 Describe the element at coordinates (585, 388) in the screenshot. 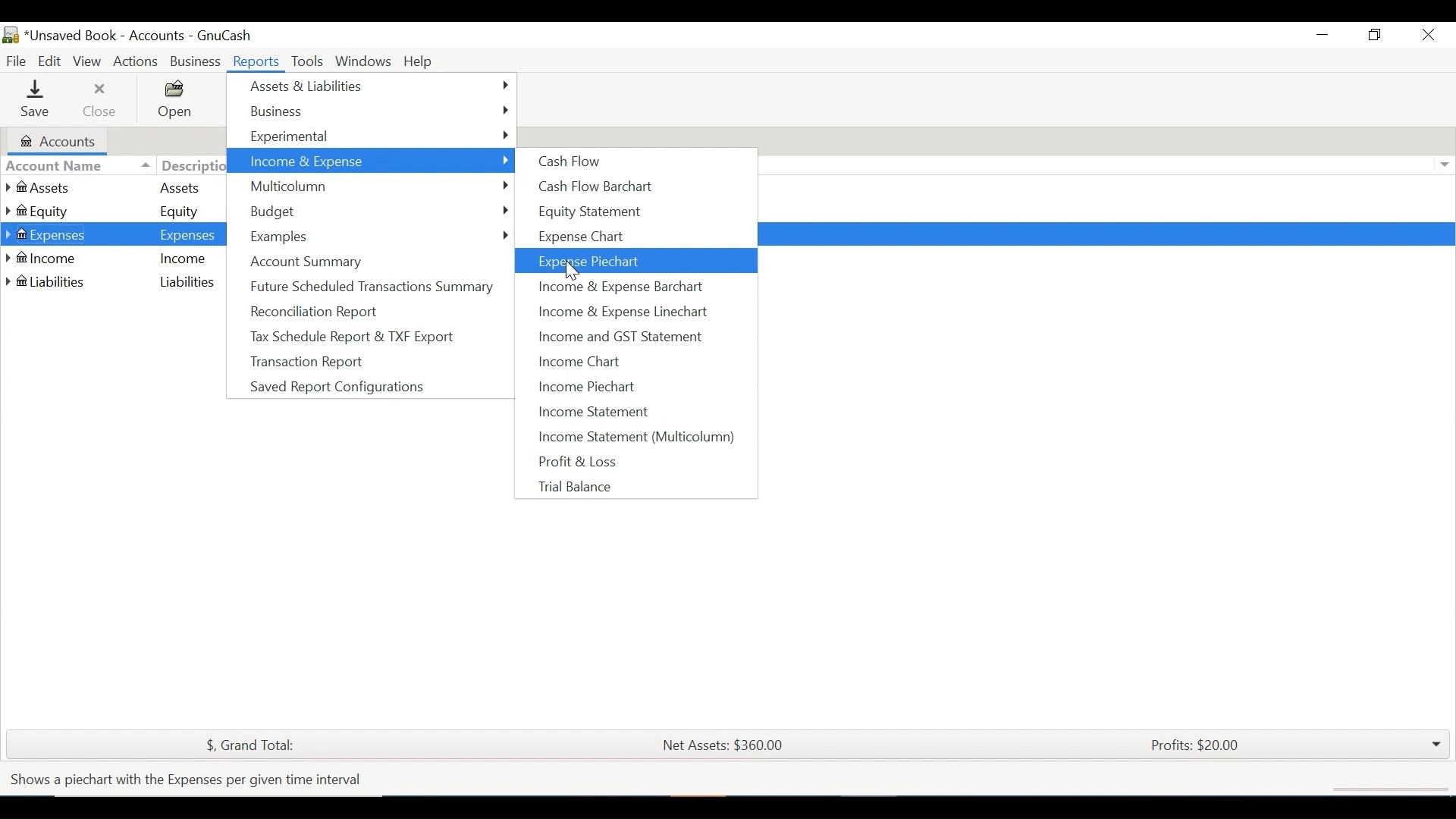

I see `Income Piechart` at that location.